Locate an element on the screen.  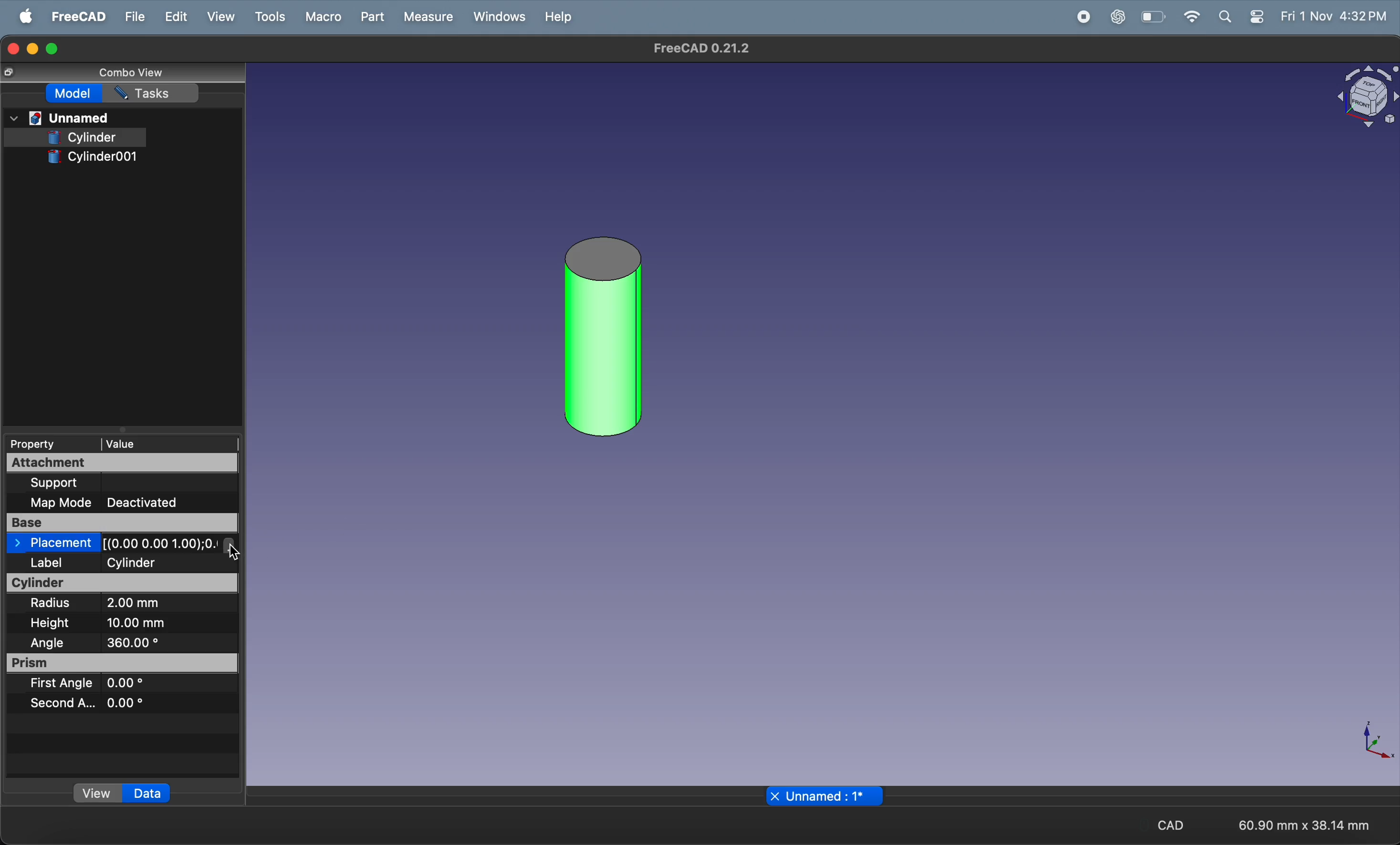
part is located at coordinates (370, 16).